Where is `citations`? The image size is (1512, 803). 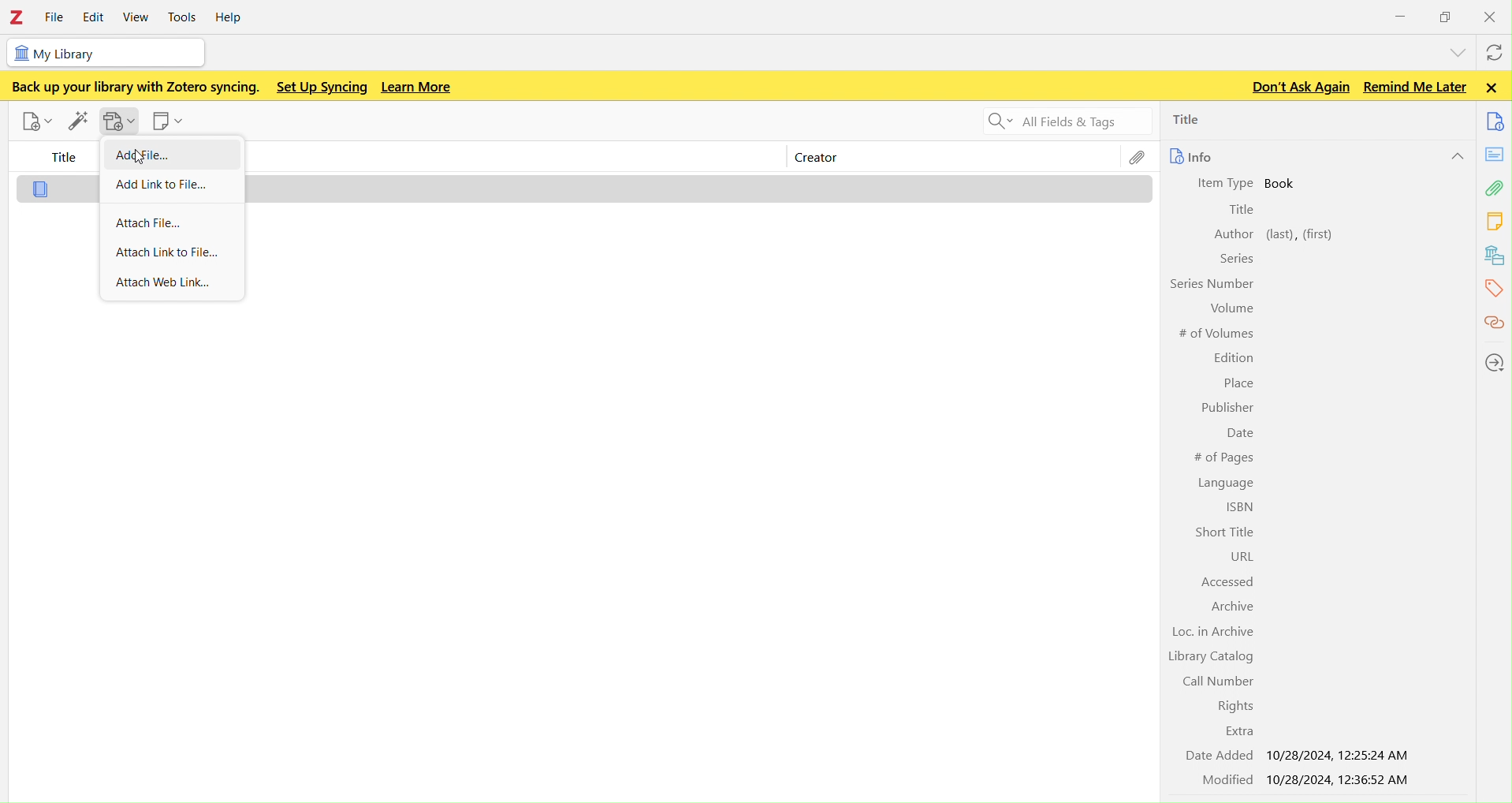 citations is located at coordinates (1495, 323).